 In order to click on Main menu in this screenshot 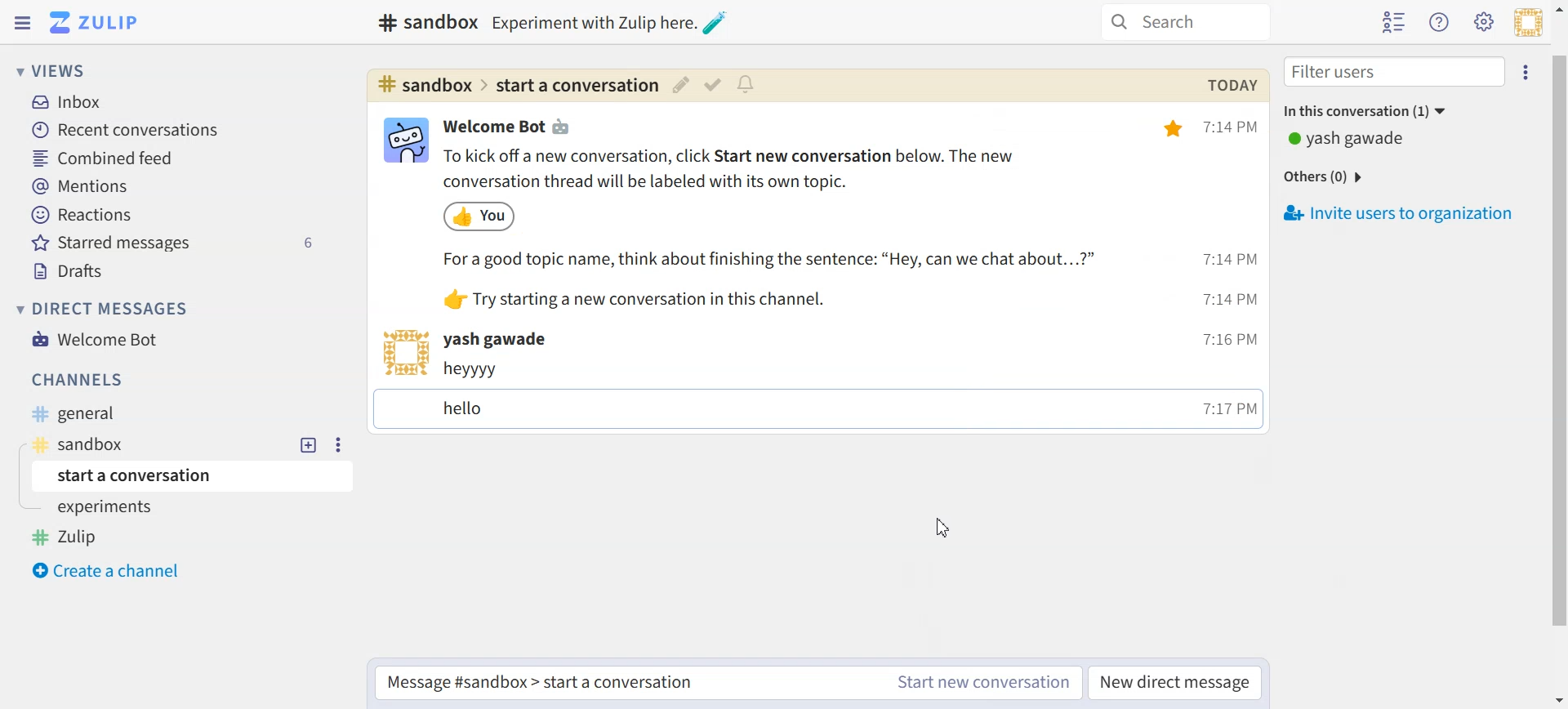, I will do `click(1484, 22)`.